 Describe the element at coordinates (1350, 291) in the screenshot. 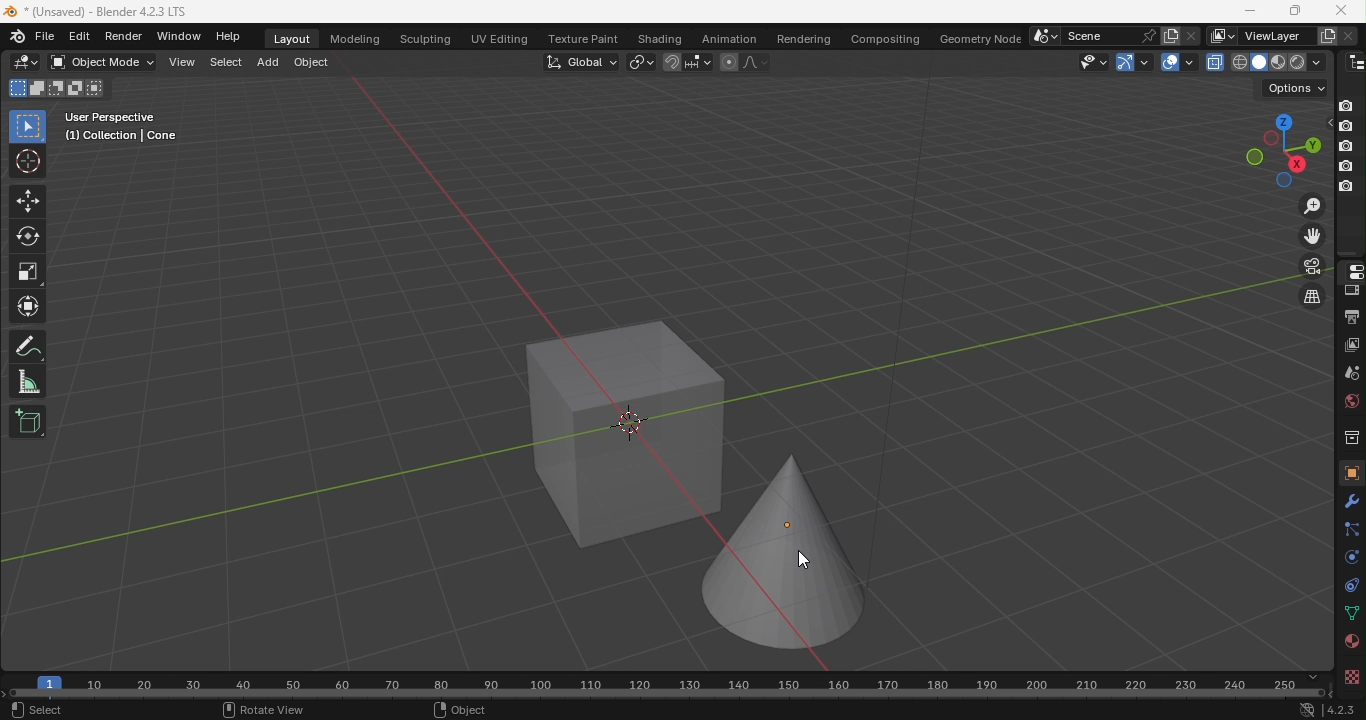

I see `Render` at that location.